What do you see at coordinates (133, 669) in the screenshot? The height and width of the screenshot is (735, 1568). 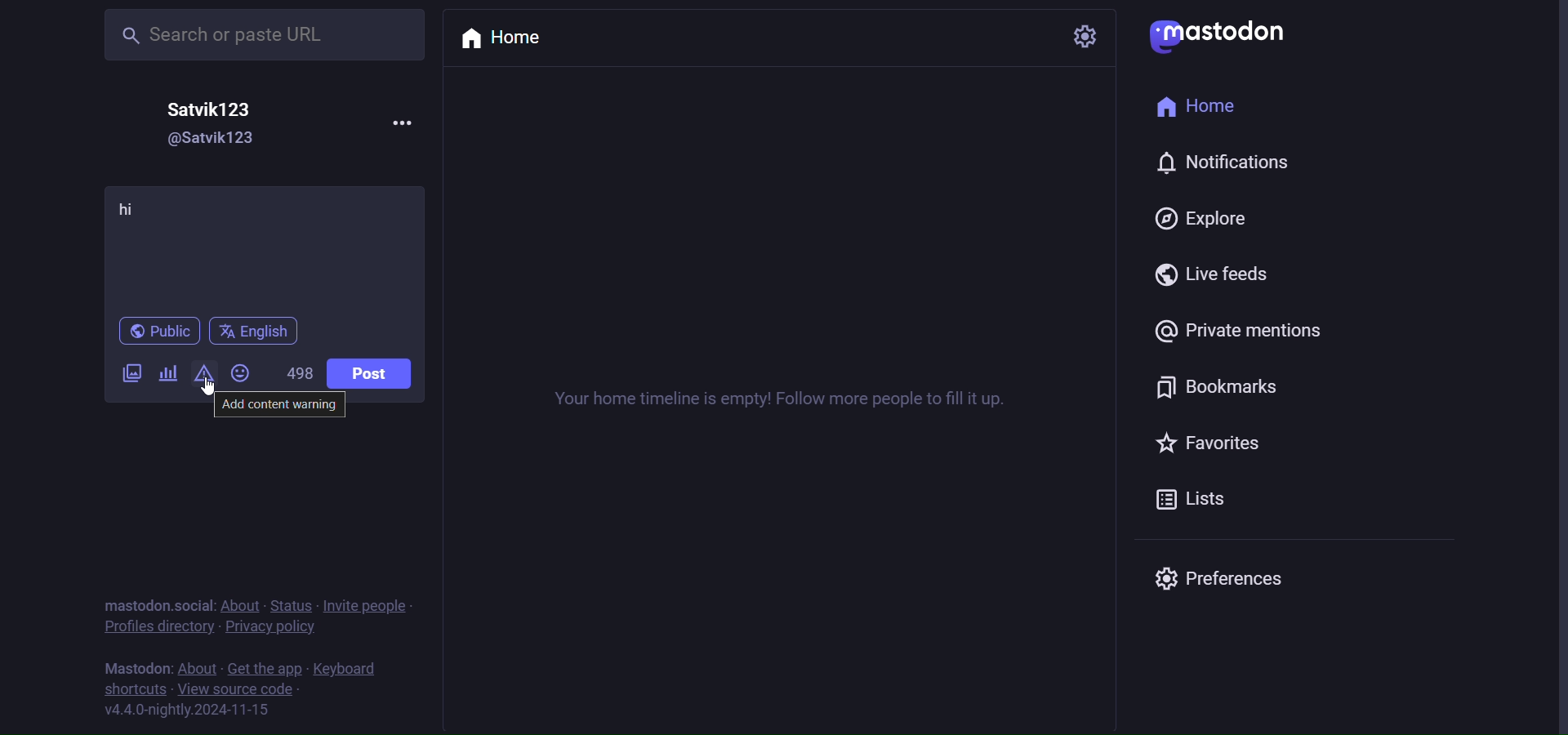 I see `text` at bounding box center [133, 669].